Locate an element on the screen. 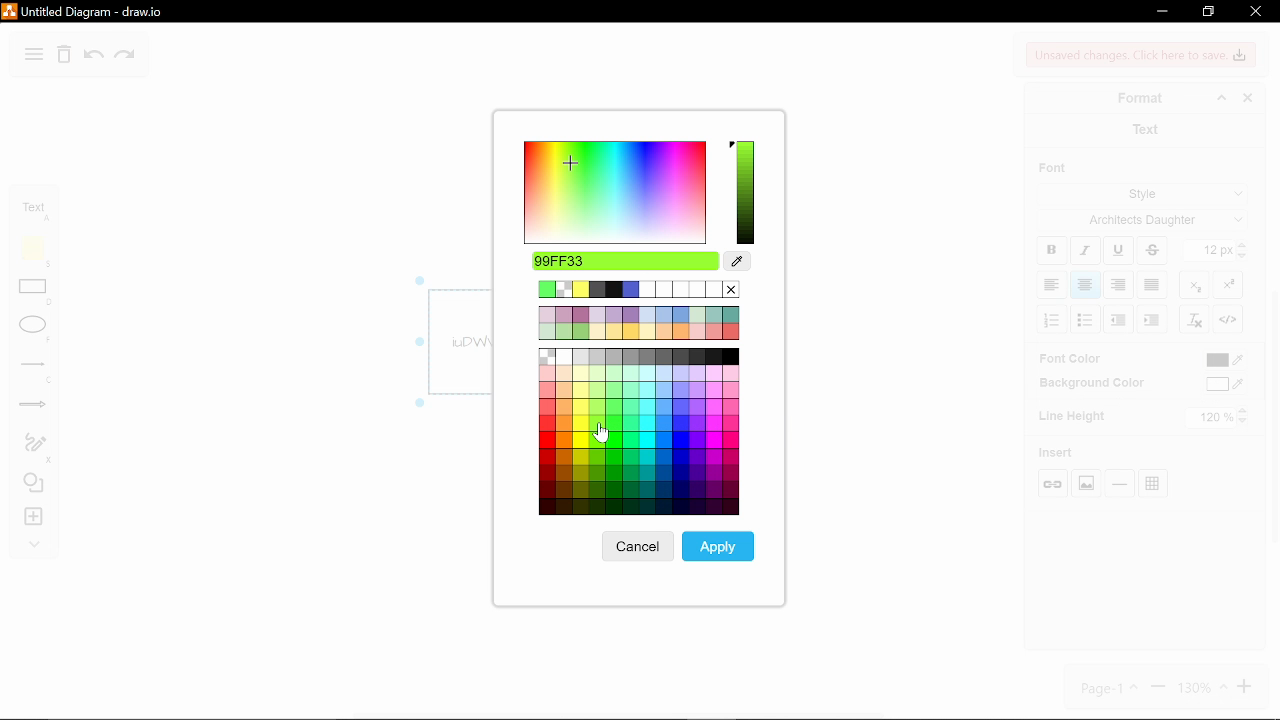 The height and width of the screenshot is (720, 1280). increase indent is located at coordinates (1119, 320).